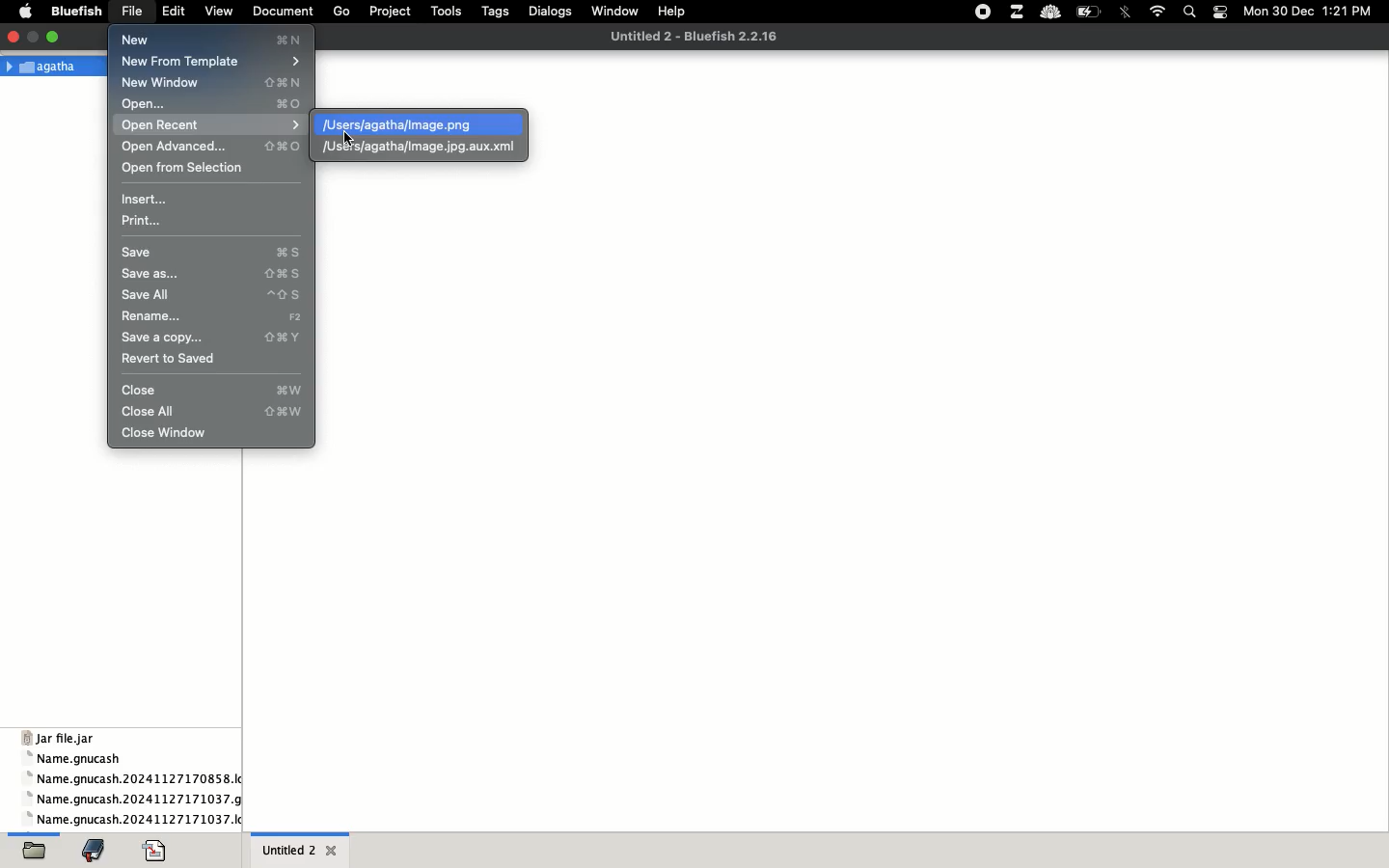  What do you see at coordinates (212, 61) in the screenshot?
I see `new from template` at bounding box center [212, 61].